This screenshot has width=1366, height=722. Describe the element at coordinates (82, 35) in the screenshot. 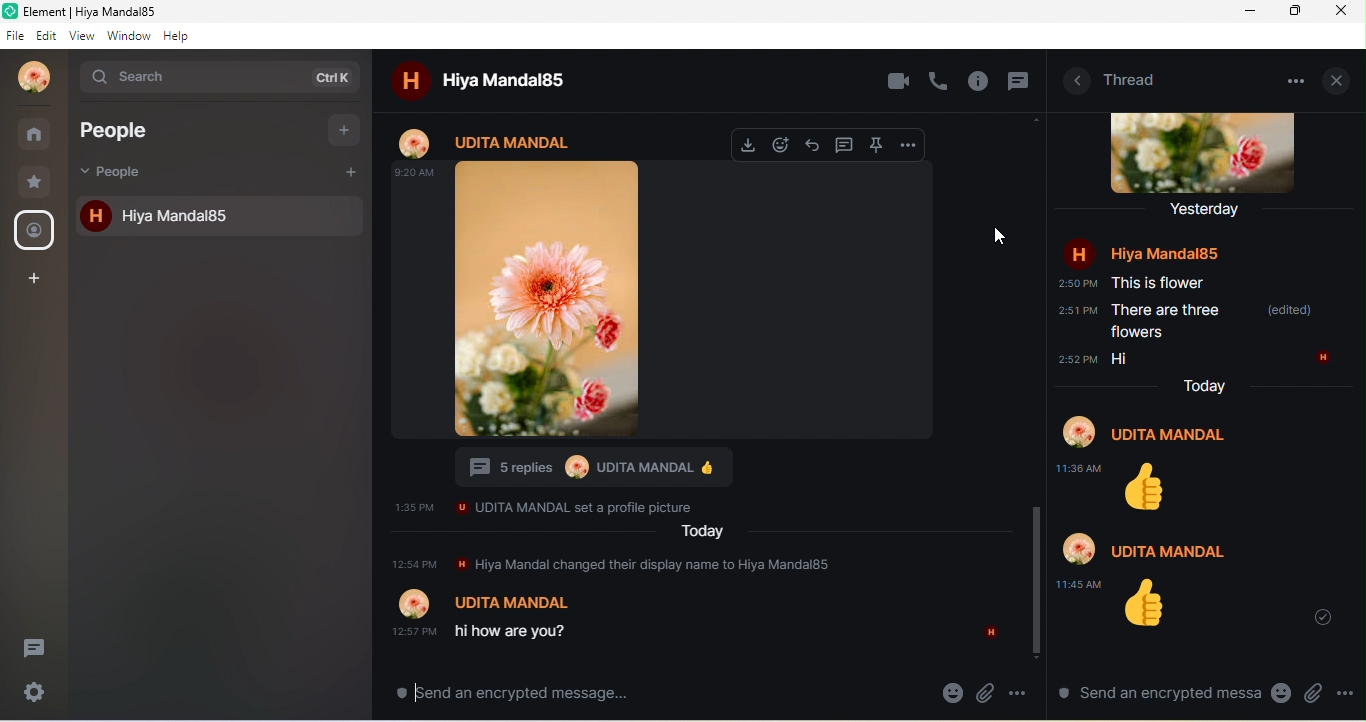

I see `view` at that location.